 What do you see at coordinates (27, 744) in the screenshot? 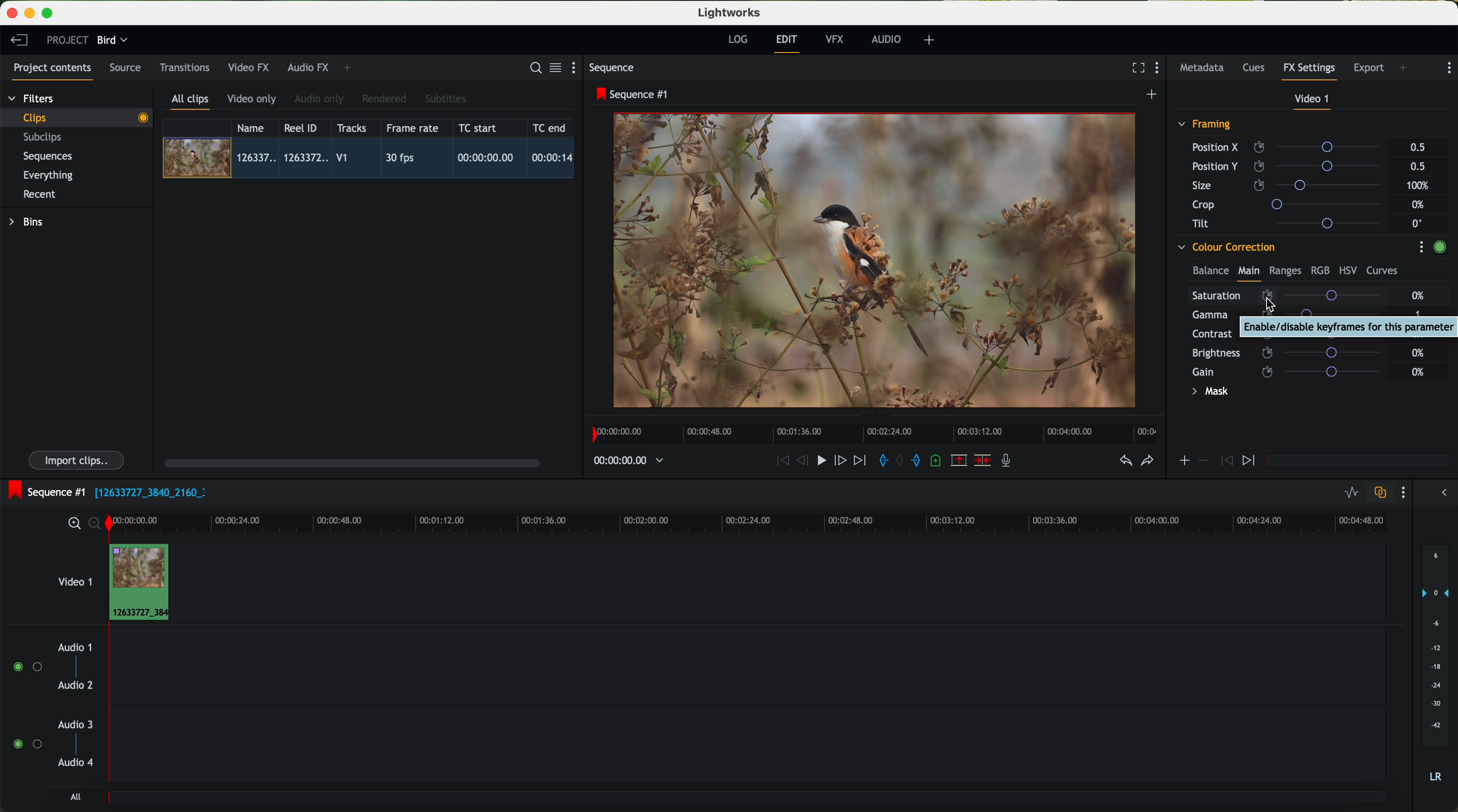
I see `enable audio` at bounding box center [27, 744].